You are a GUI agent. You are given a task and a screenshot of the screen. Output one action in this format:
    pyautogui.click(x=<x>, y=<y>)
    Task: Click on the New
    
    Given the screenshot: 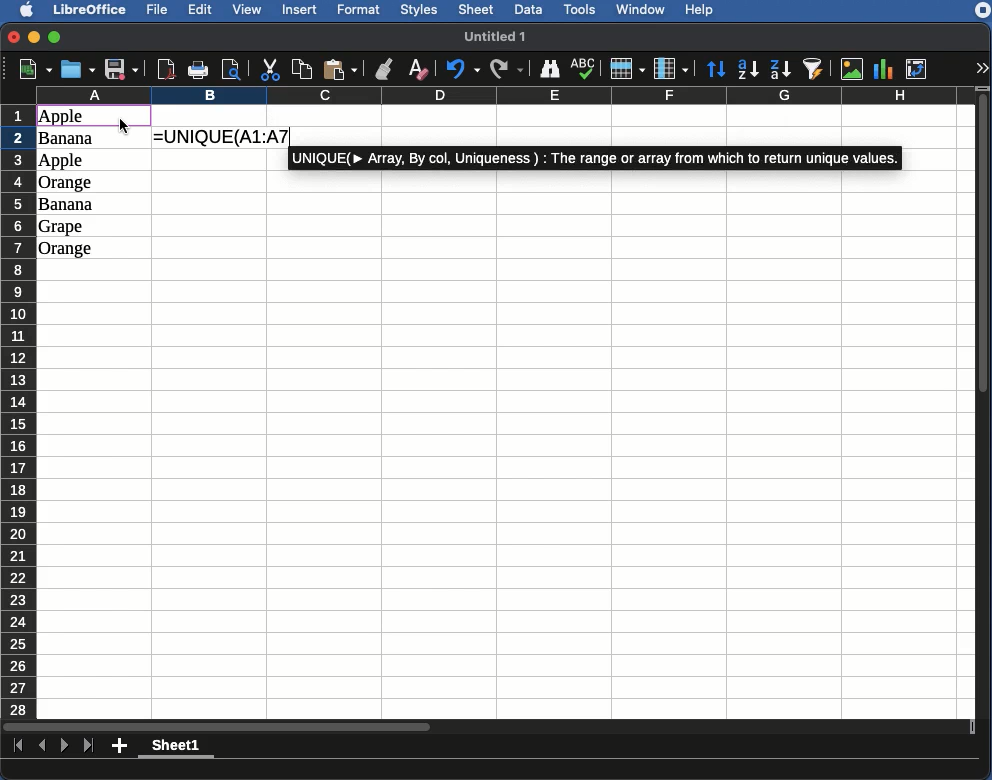 What is the action you would take?
    pyautogui.click(x=30, y=69)
    